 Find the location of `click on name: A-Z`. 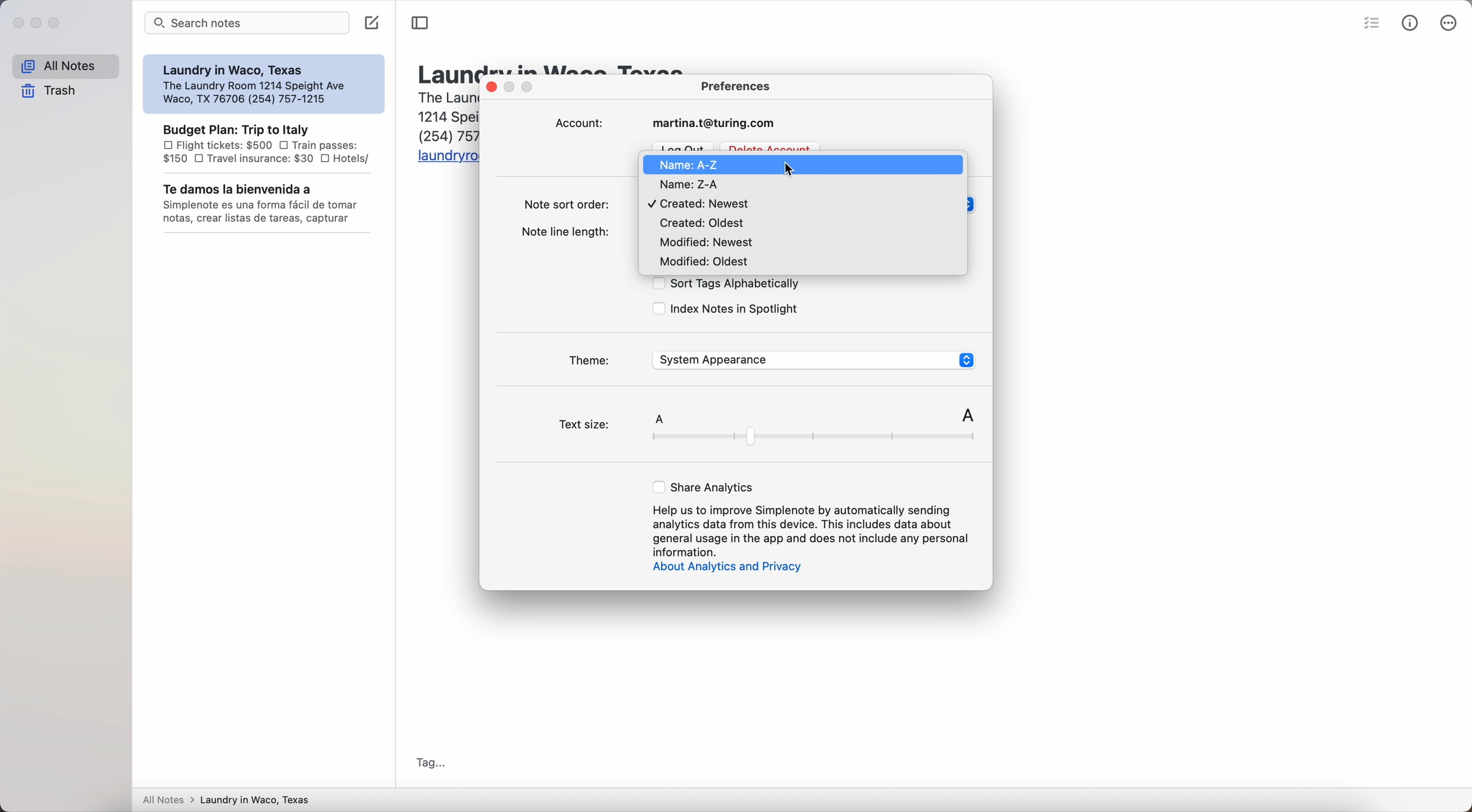

click on name: A-Z is located at coordinates (711, 165).